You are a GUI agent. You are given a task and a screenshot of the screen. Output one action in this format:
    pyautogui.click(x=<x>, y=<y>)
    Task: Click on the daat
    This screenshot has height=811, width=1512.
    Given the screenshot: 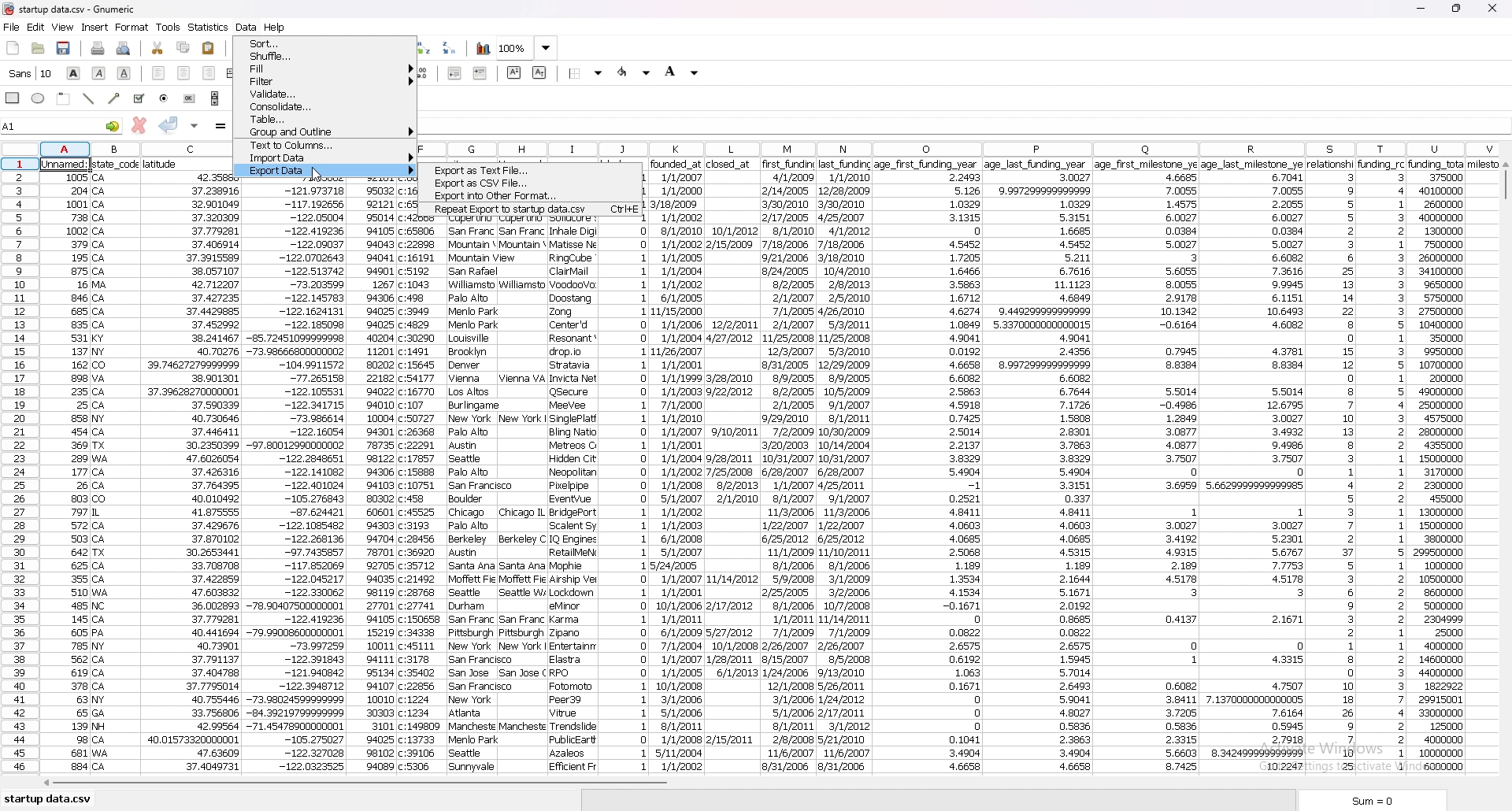 What is the action you would take?
    pyautogui.click(x=1450, y=465)
    